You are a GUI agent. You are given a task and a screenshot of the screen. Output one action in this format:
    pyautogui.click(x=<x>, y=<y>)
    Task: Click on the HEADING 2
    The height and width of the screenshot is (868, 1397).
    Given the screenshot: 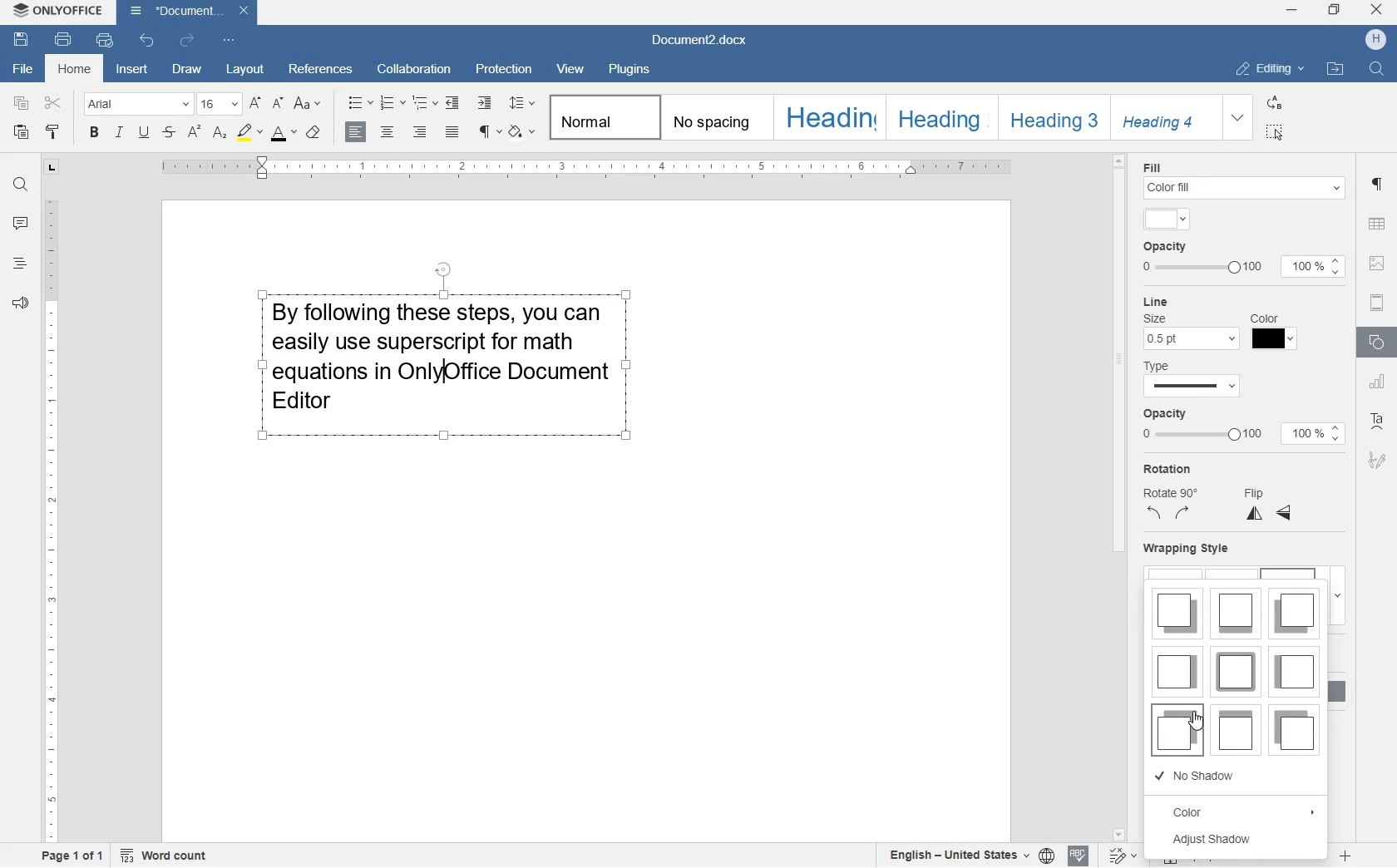 What is the action you would take?
    pyautogui.click(x=938, y=116)
    